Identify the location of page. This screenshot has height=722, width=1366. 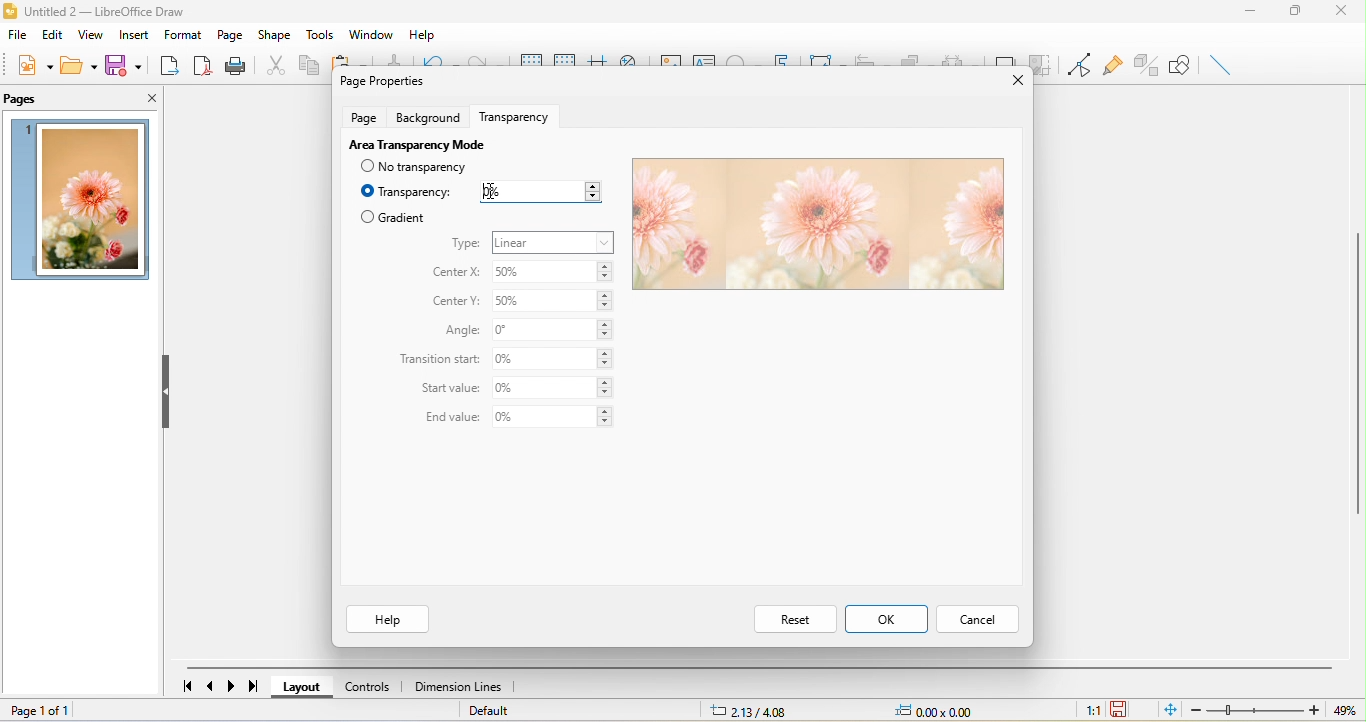
(232, 34).